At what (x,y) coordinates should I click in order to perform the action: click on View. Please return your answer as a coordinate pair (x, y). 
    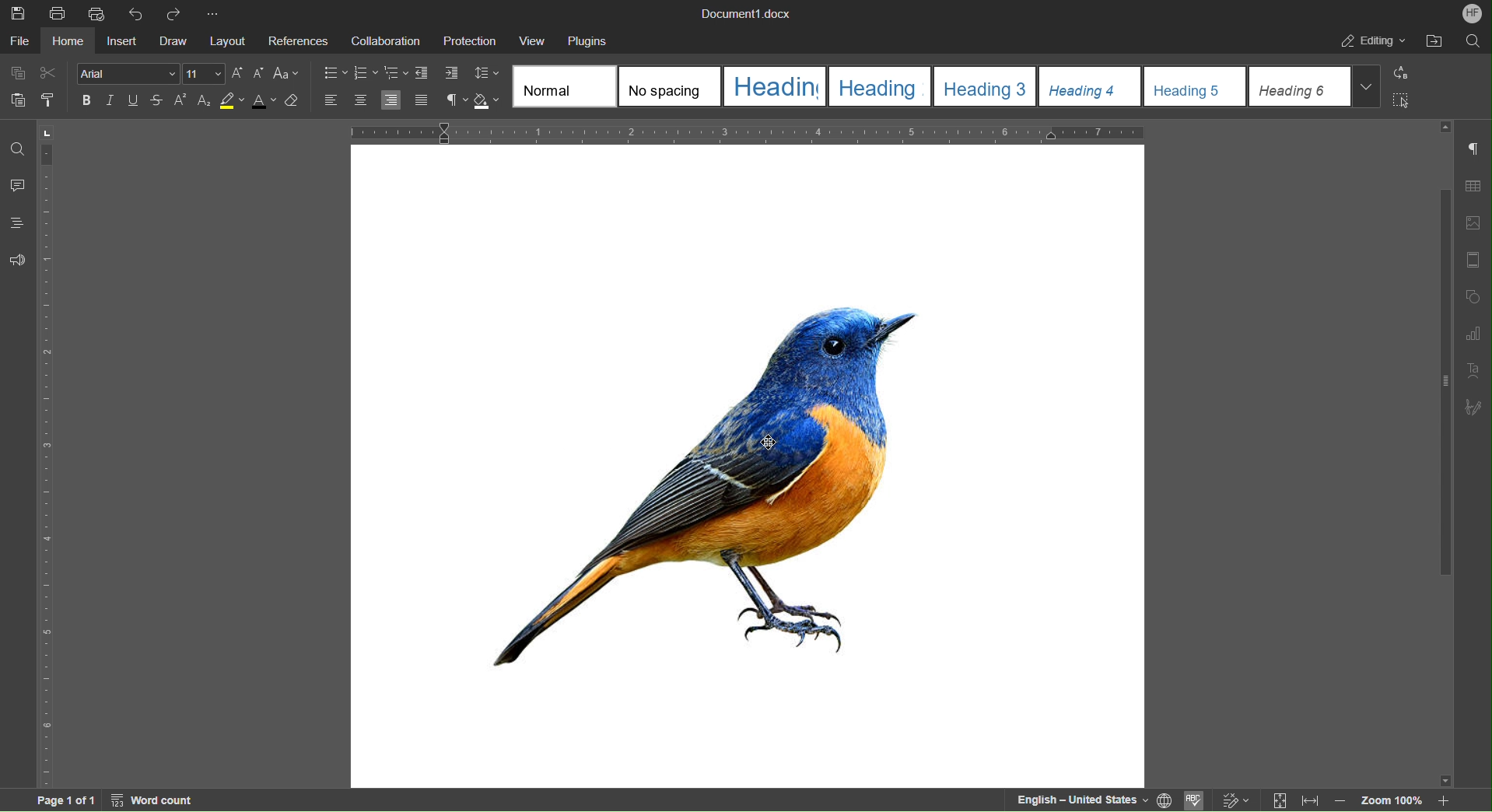
    Looking at the image, I should click on (534, 42).